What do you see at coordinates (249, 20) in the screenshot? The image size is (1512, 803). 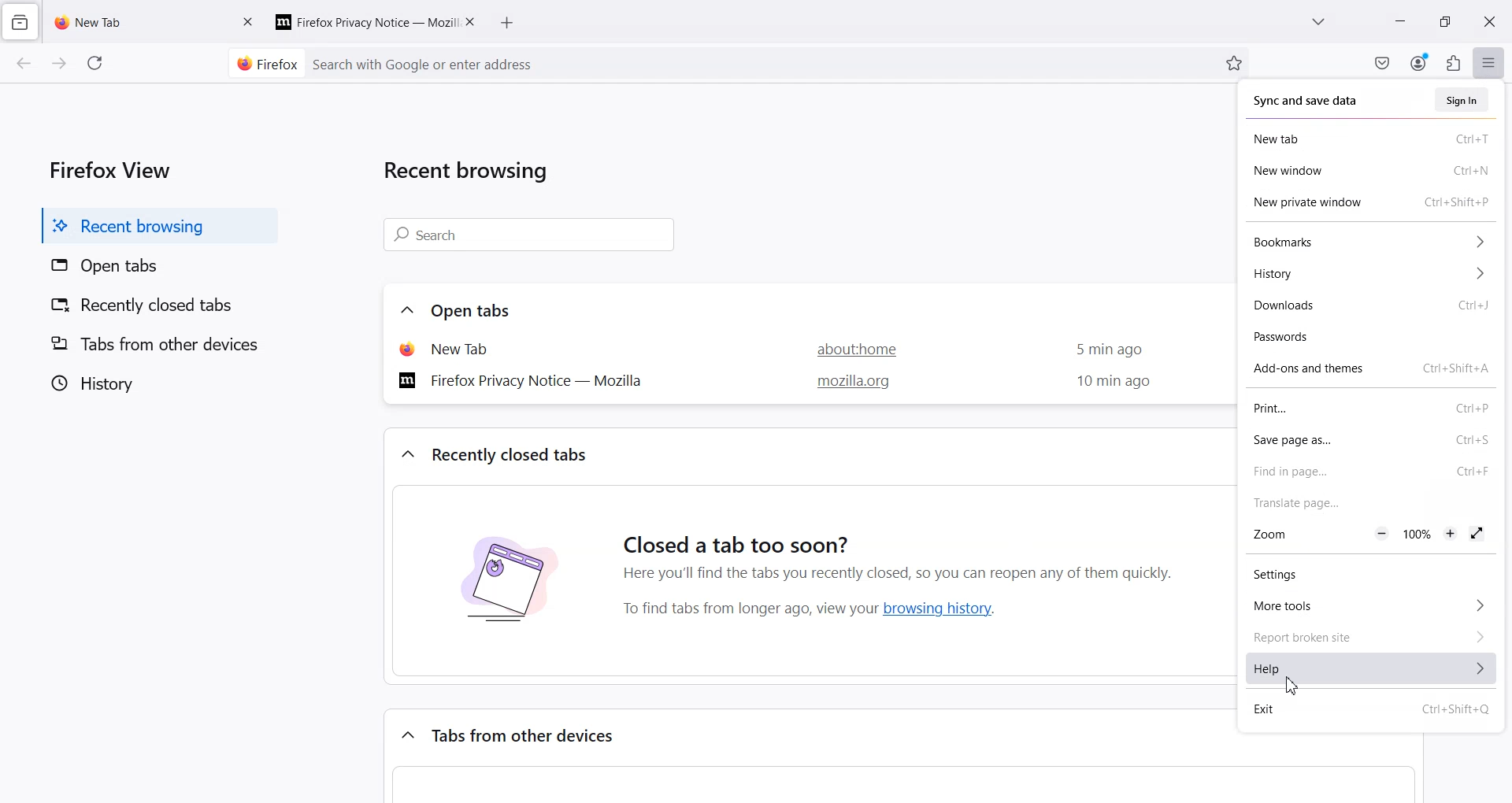 I see `Close Tab` at bounding box center [249, 20].